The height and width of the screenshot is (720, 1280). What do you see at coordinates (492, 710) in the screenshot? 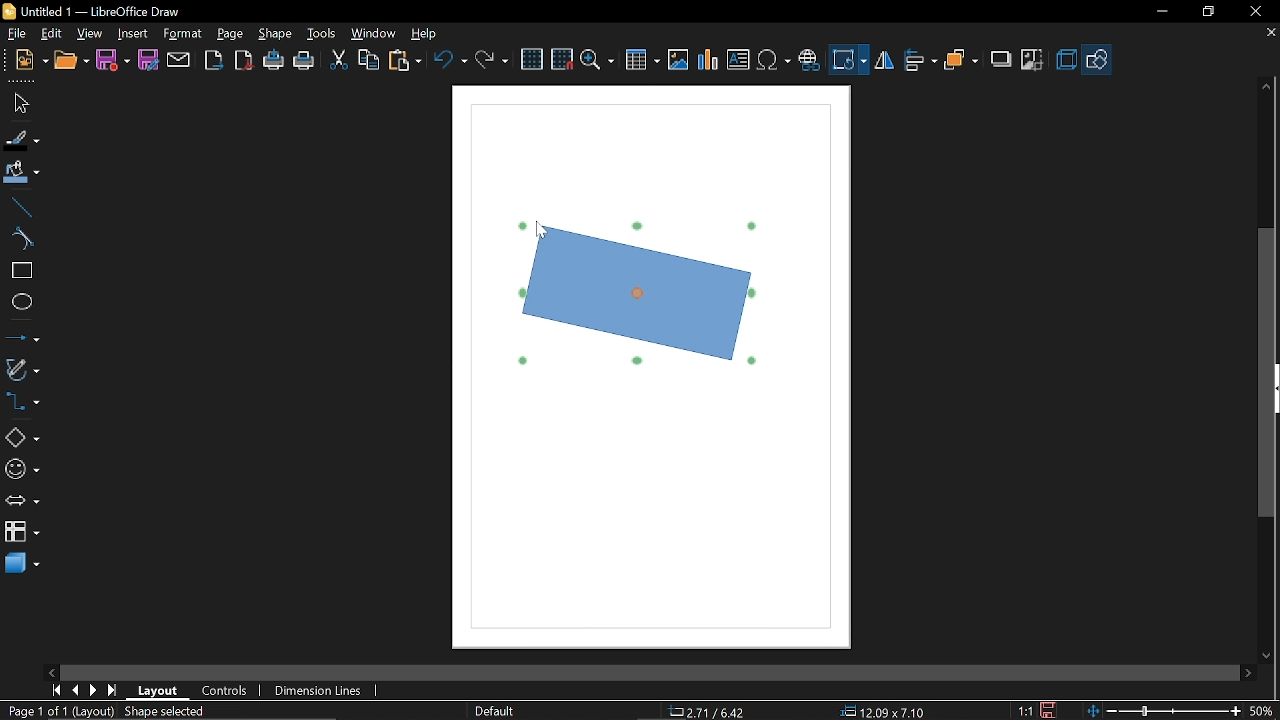
I see `Default` at bounding box center [492, 710].